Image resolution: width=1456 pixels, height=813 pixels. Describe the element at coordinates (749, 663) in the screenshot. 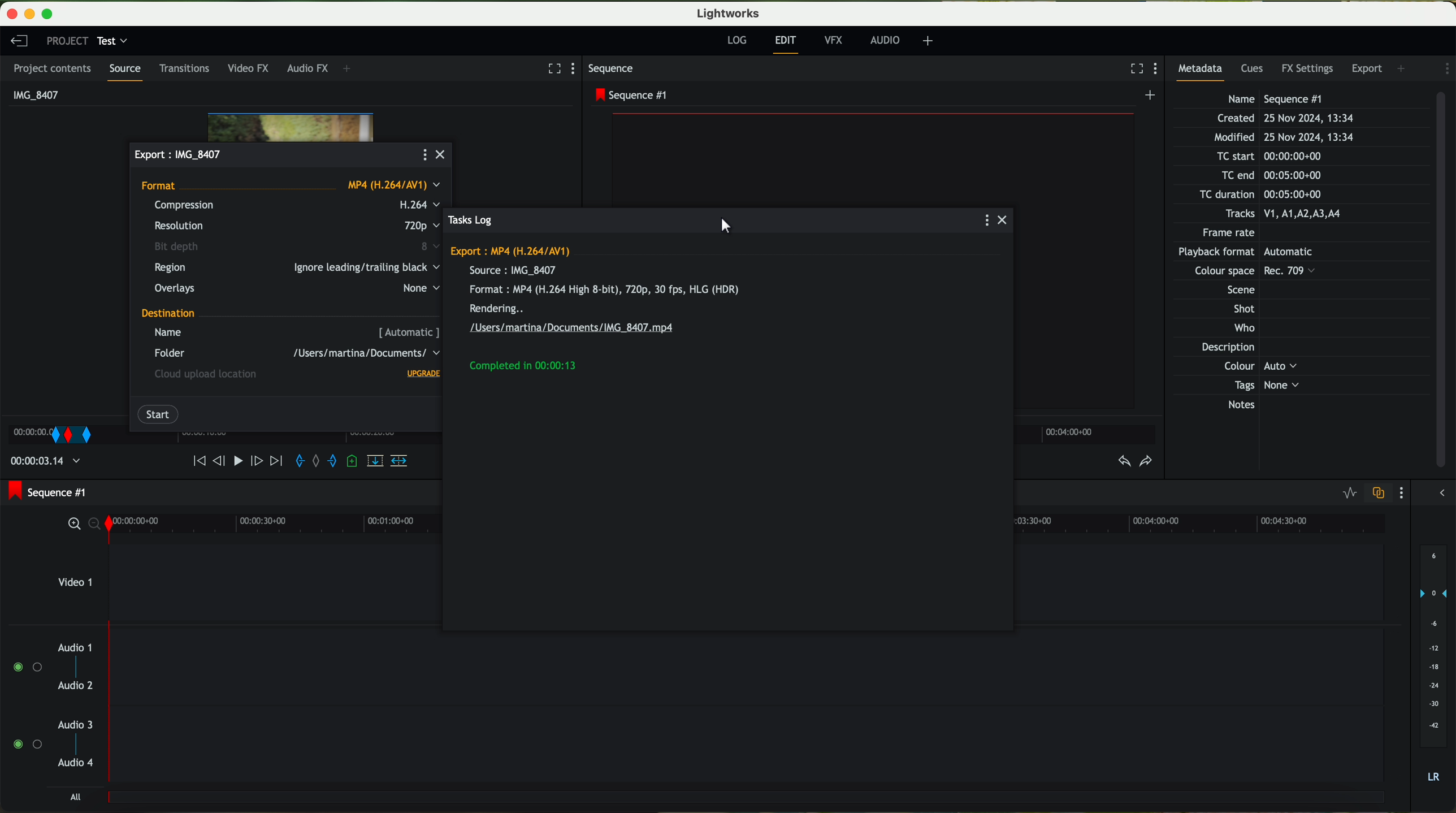

I see `track` at that location.